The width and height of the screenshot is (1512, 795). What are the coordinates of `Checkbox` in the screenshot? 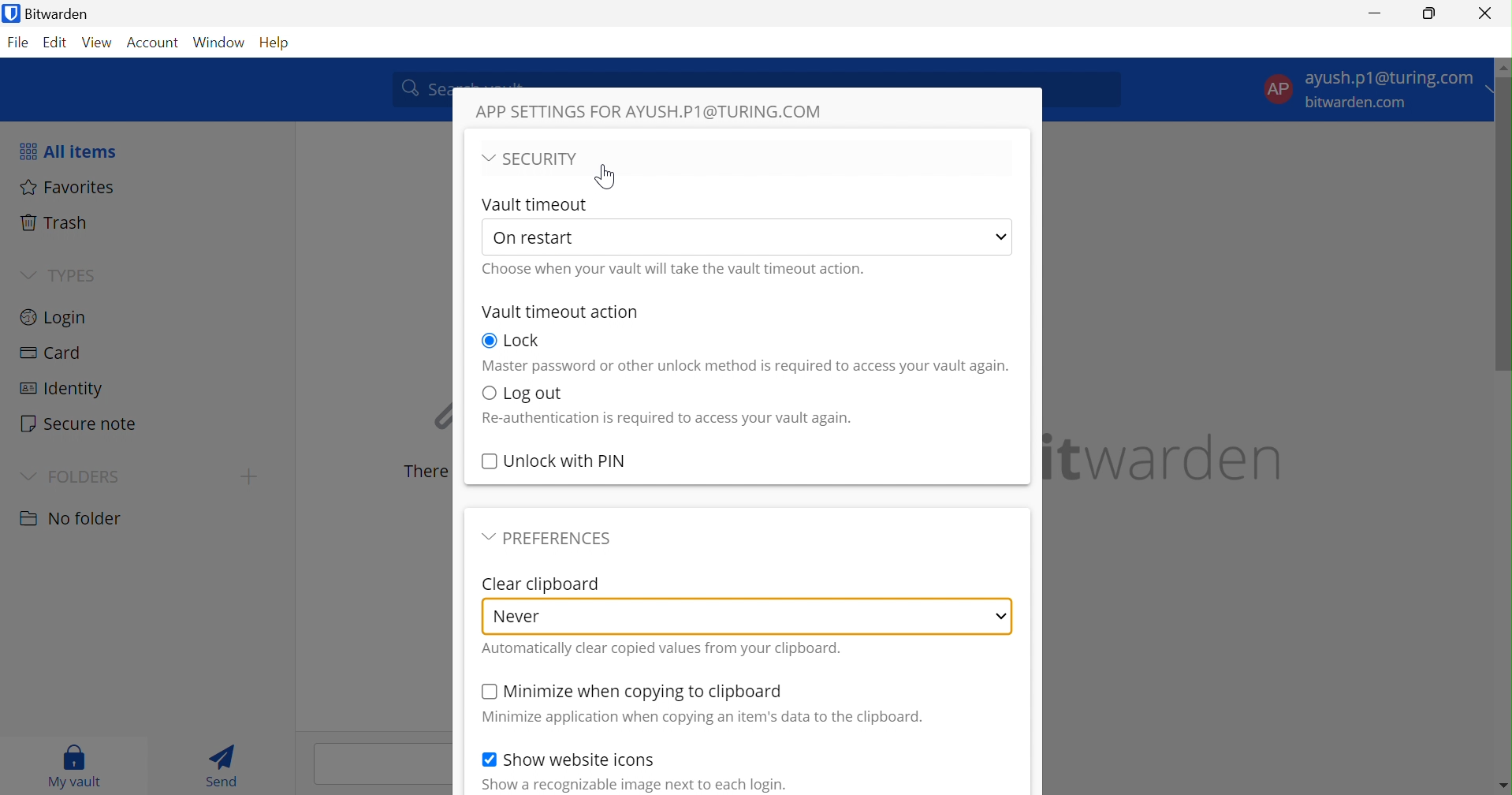 It's located at (488, 460).